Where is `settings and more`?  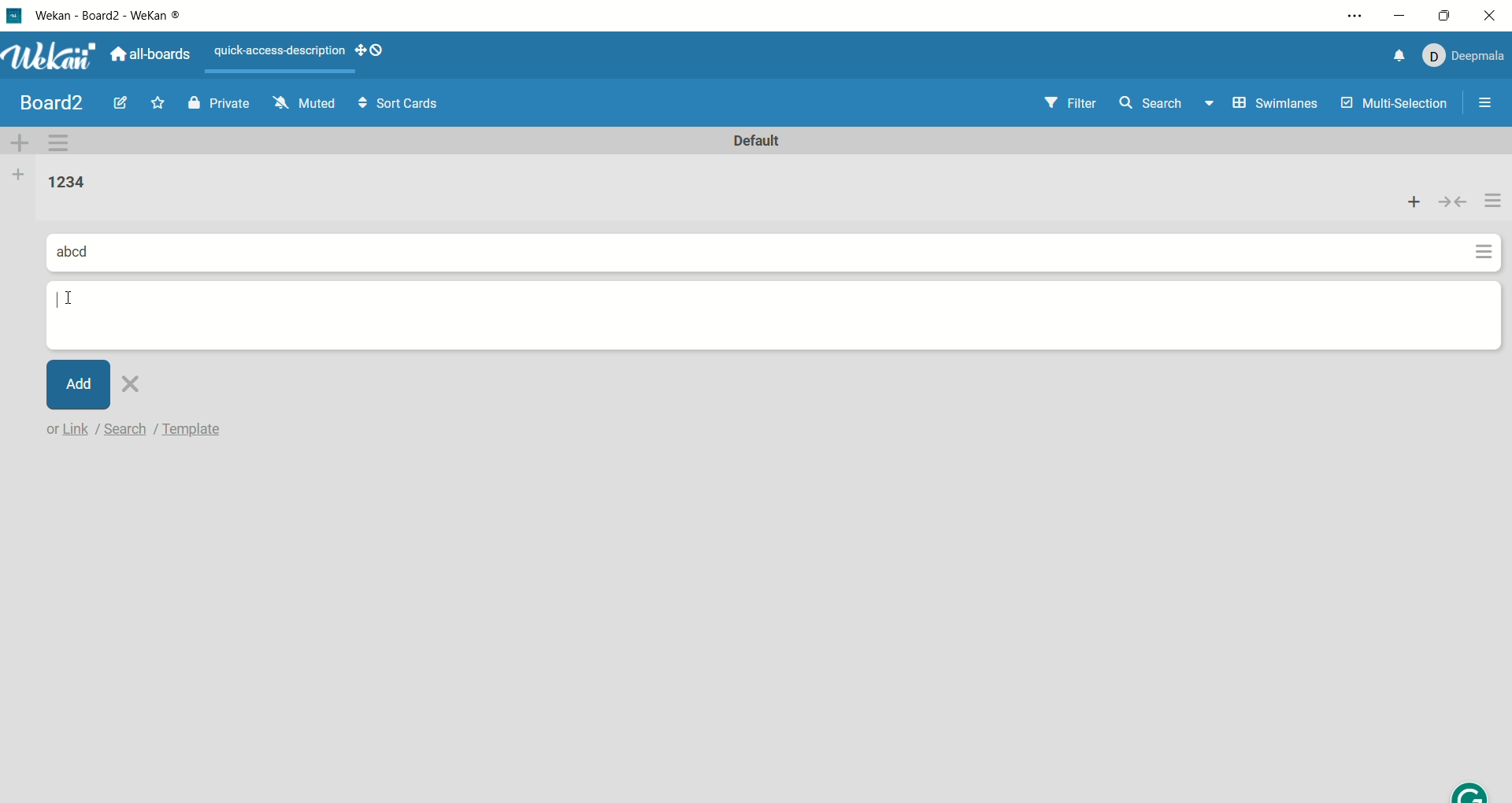 settings and more is located at coordinates (1353, 18).